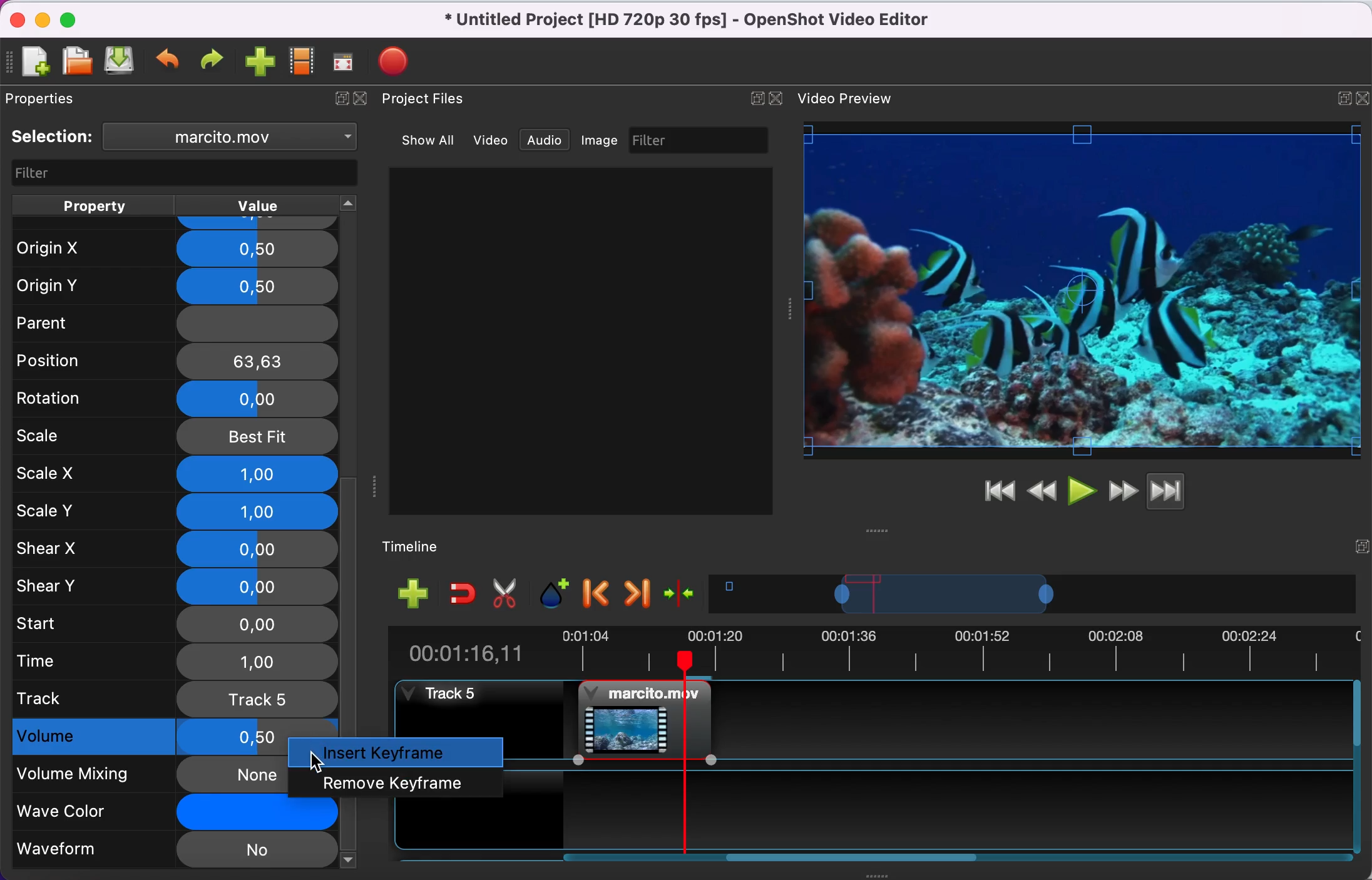 The image size is (1372, 880). What do you see at coordinates (412, 595) in the screenshot?
I see `add track` at bounding box center [412, 595].